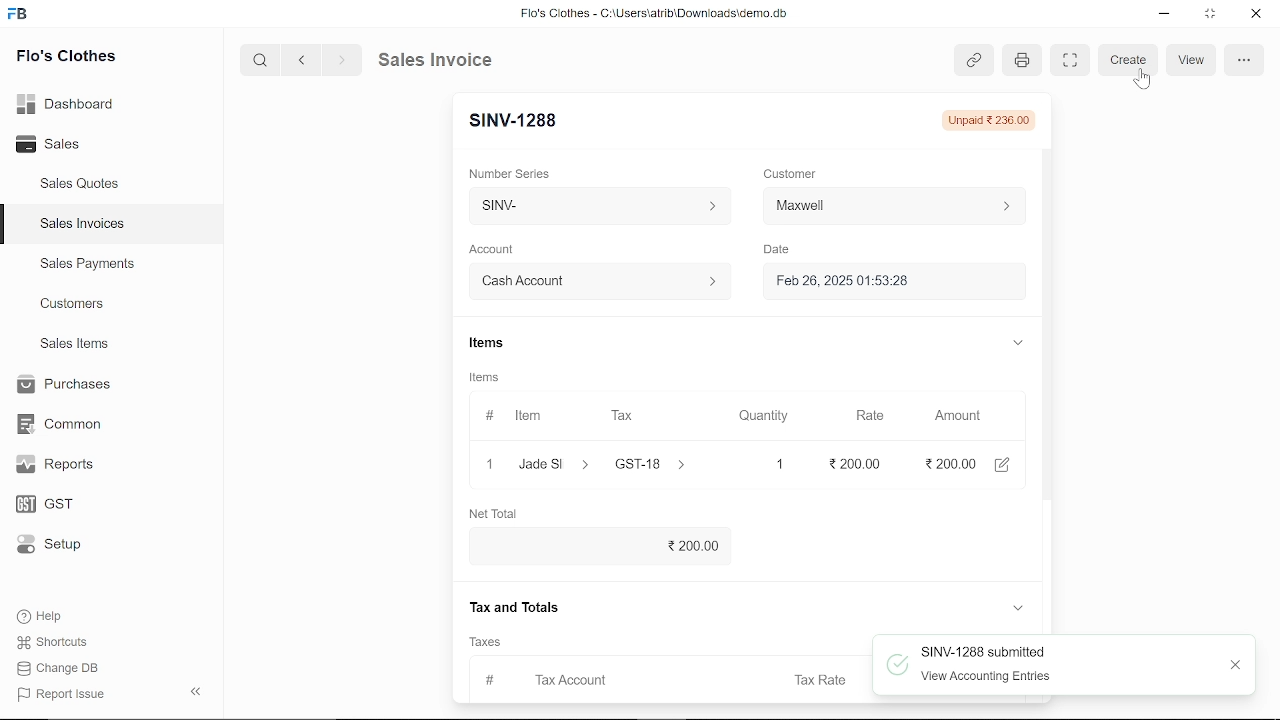  Describe the element at coordinates (990, 677) in the screenshot. I see `View Accounting Entries` at that location.